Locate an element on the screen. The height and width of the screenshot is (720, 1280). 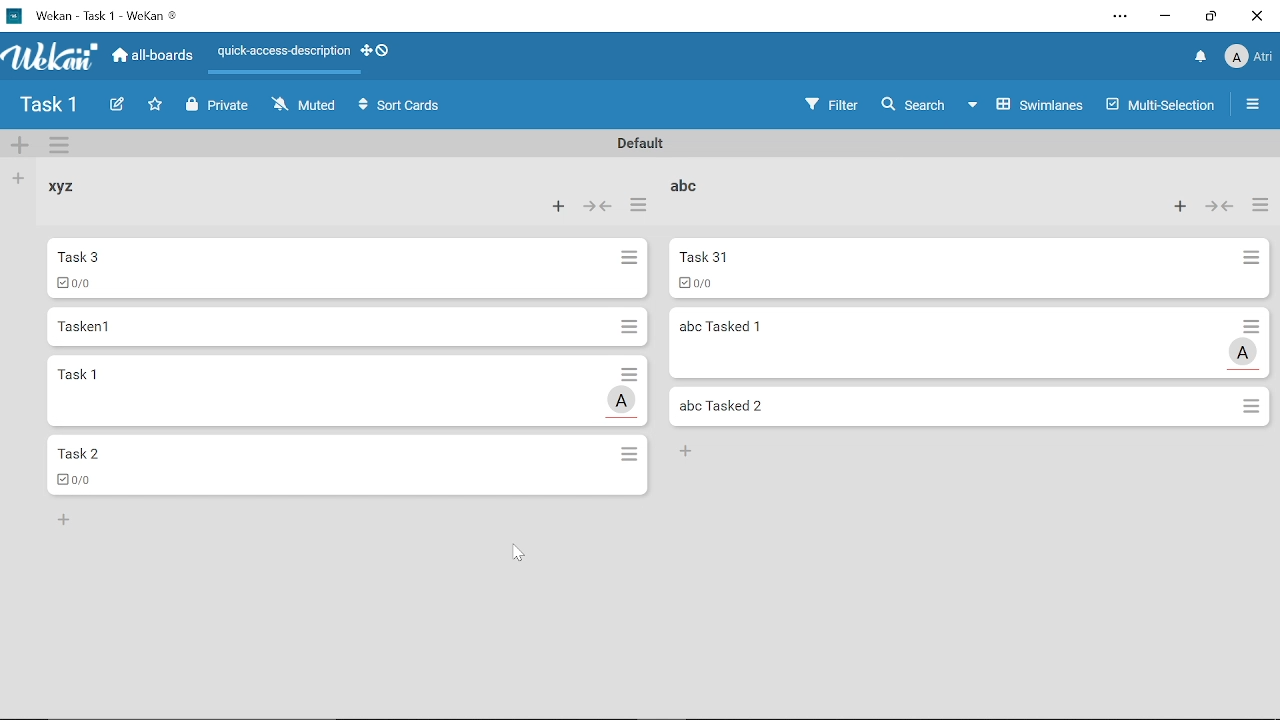
Close is located at coordinates (1256, 16).